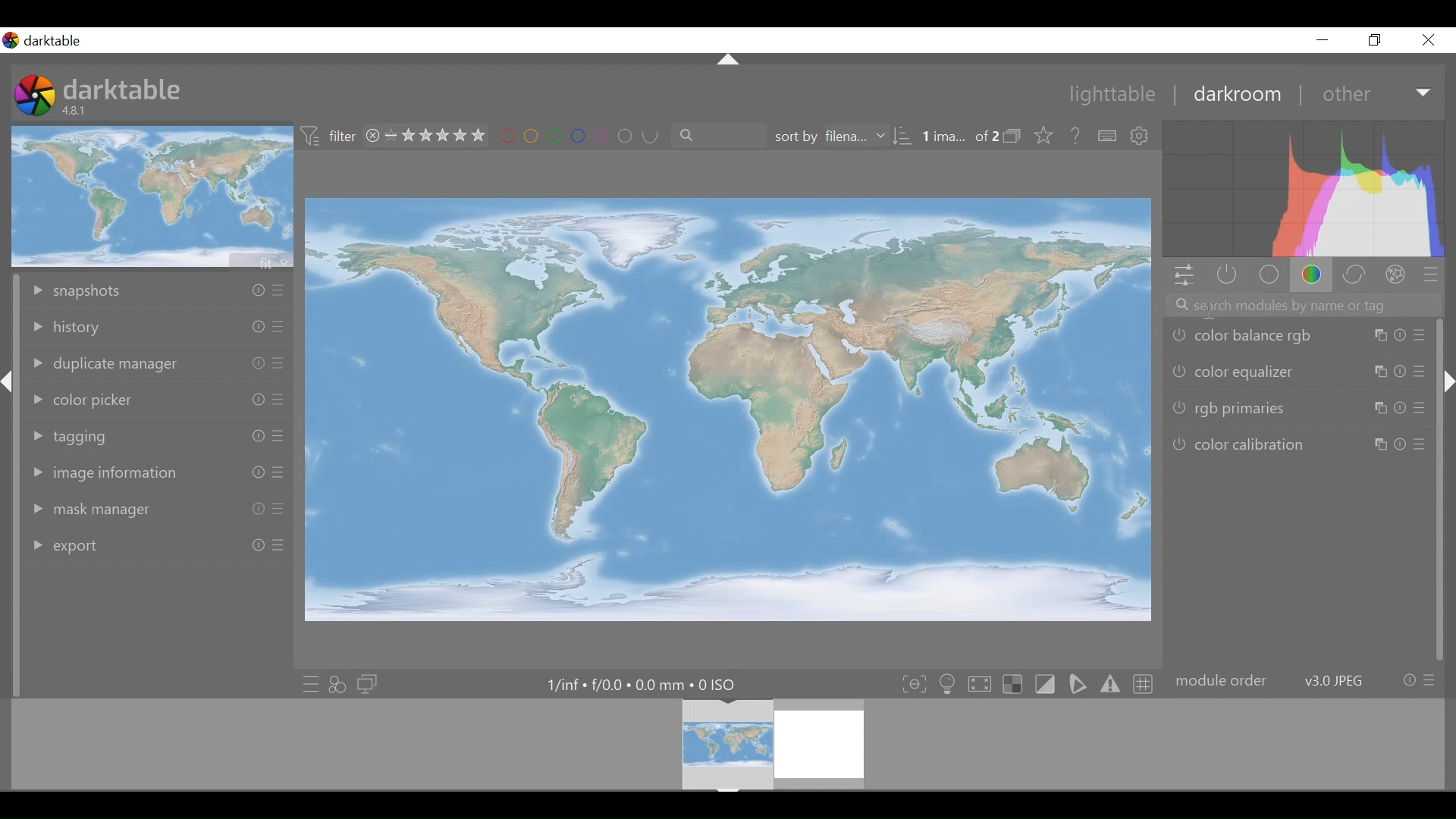 Image resolution: width=1456 pixels, height=819 pixels. I want to click on image preview, so click(152, 196).